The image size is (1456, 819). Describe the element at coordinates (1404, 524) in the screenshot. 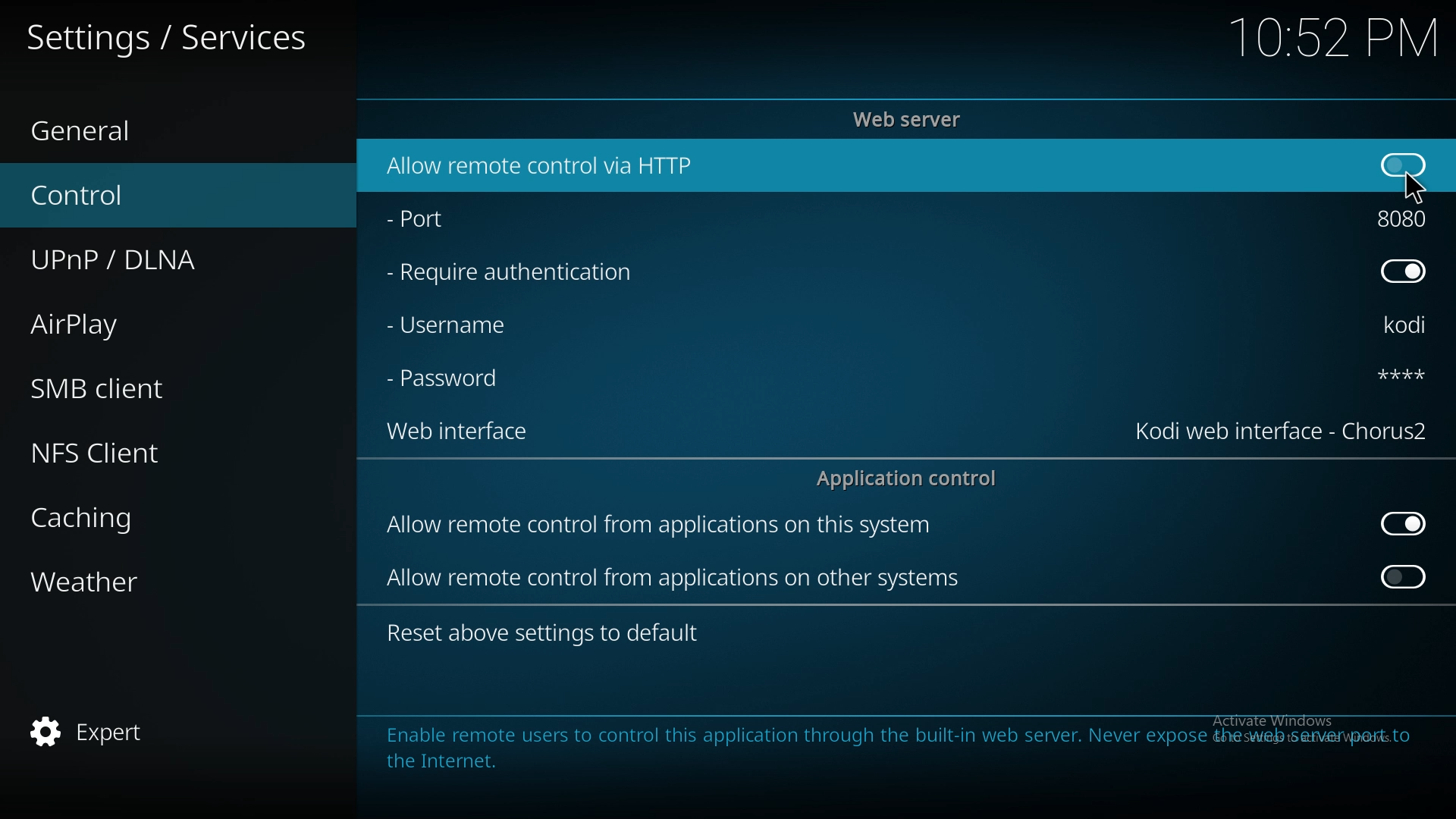

I see `toggle` at that location.